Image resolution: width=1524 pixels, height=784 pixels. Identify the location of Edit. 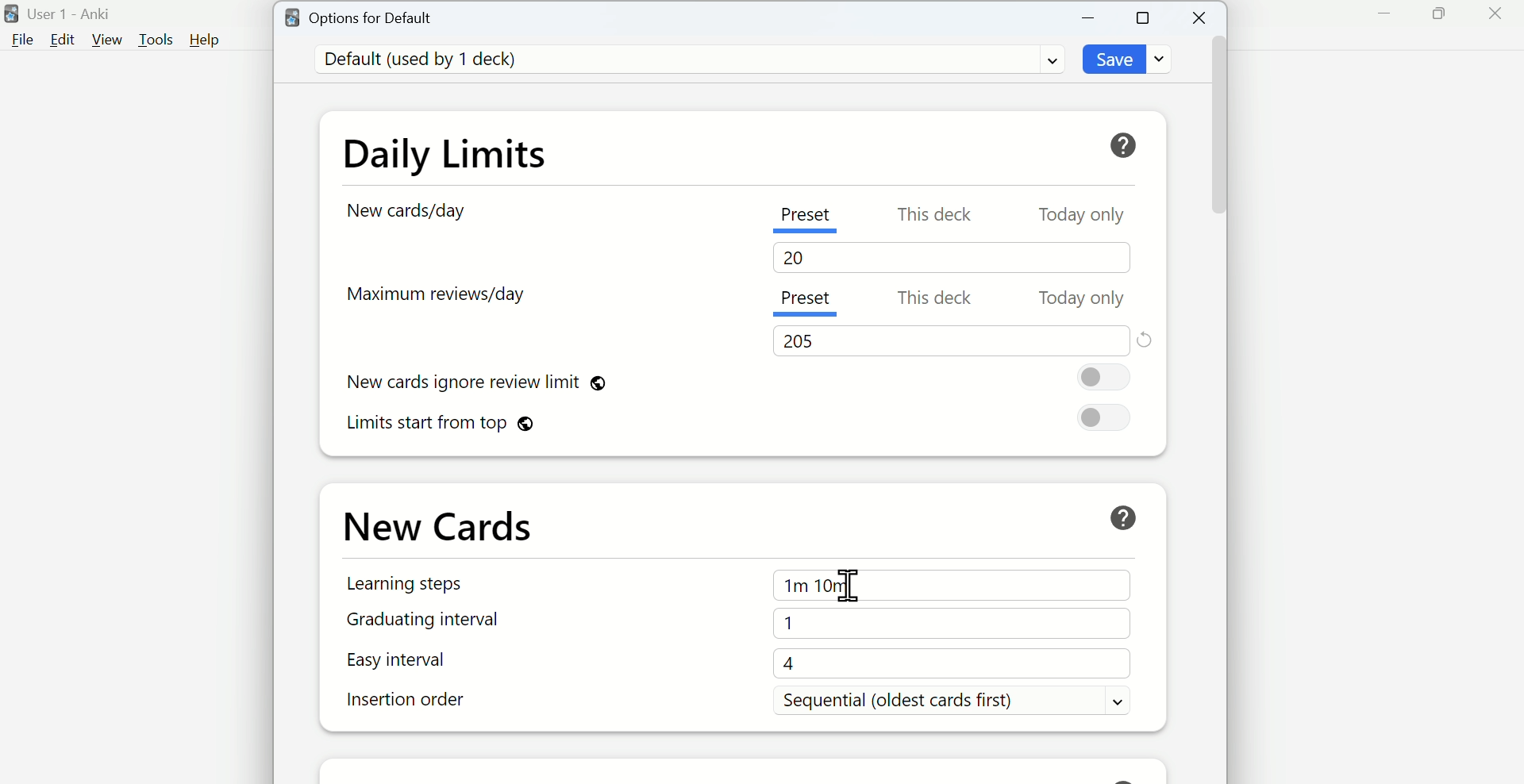
(61, 42).